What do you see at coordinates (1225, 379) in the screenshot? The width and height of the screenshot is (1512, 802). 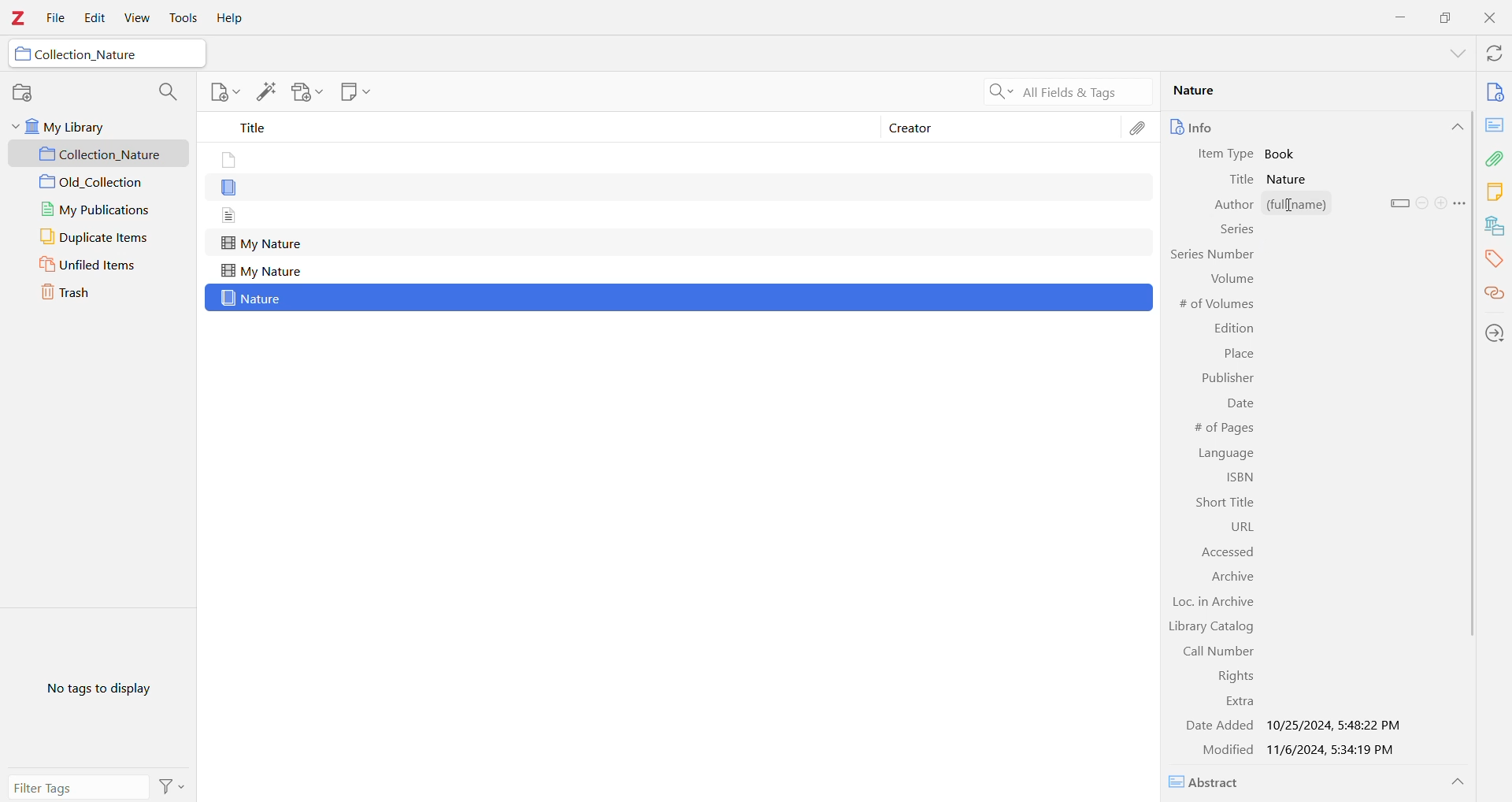 I see `Publisher` at bounding box center [1225, 379].